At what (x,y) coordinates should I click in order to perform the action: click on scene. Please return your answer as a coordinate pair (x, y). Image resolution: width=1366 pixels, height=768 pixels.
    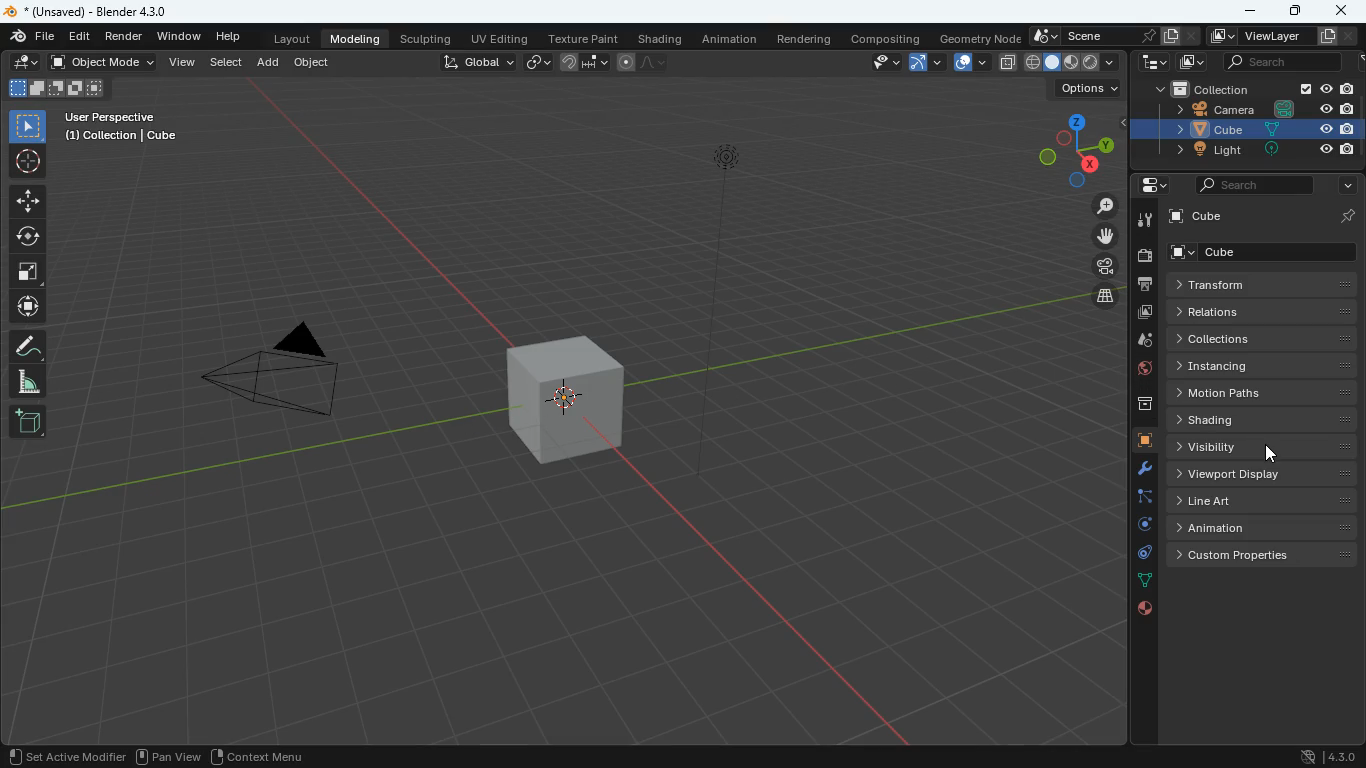
    Looking at the image, I should click on (1094, 36).